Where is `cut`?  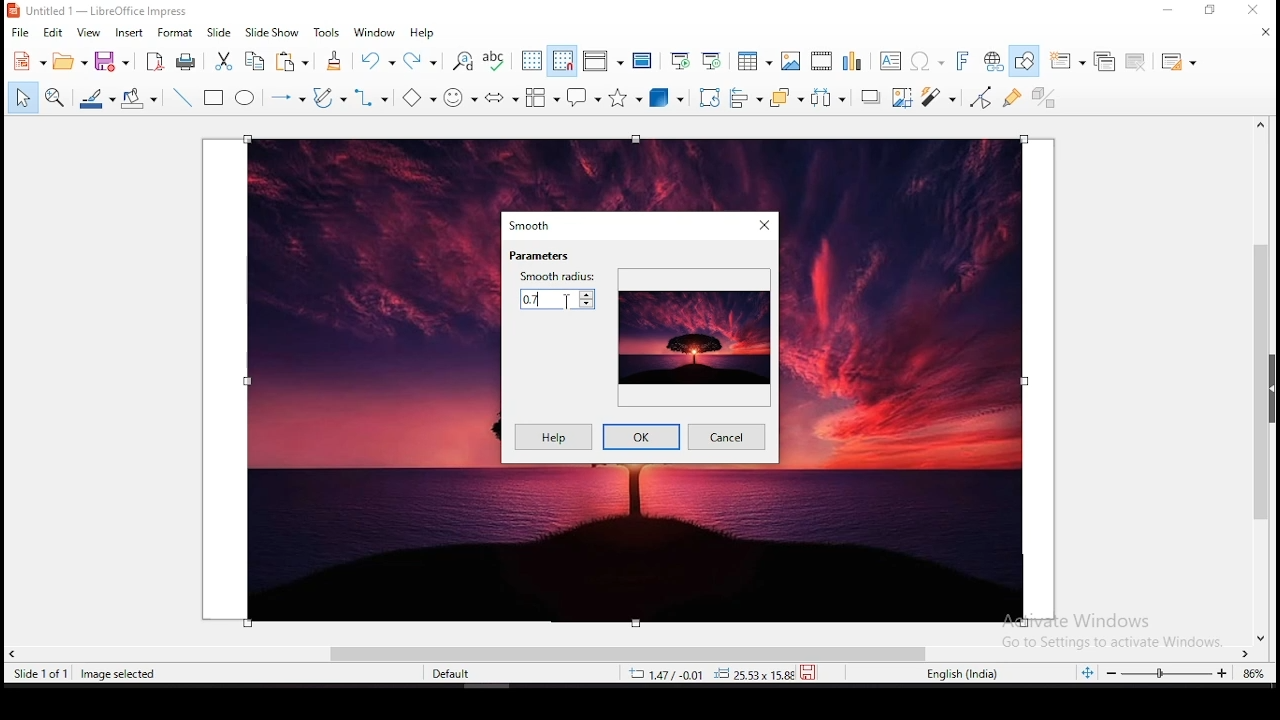
cut is located at coordinates (224, 61).